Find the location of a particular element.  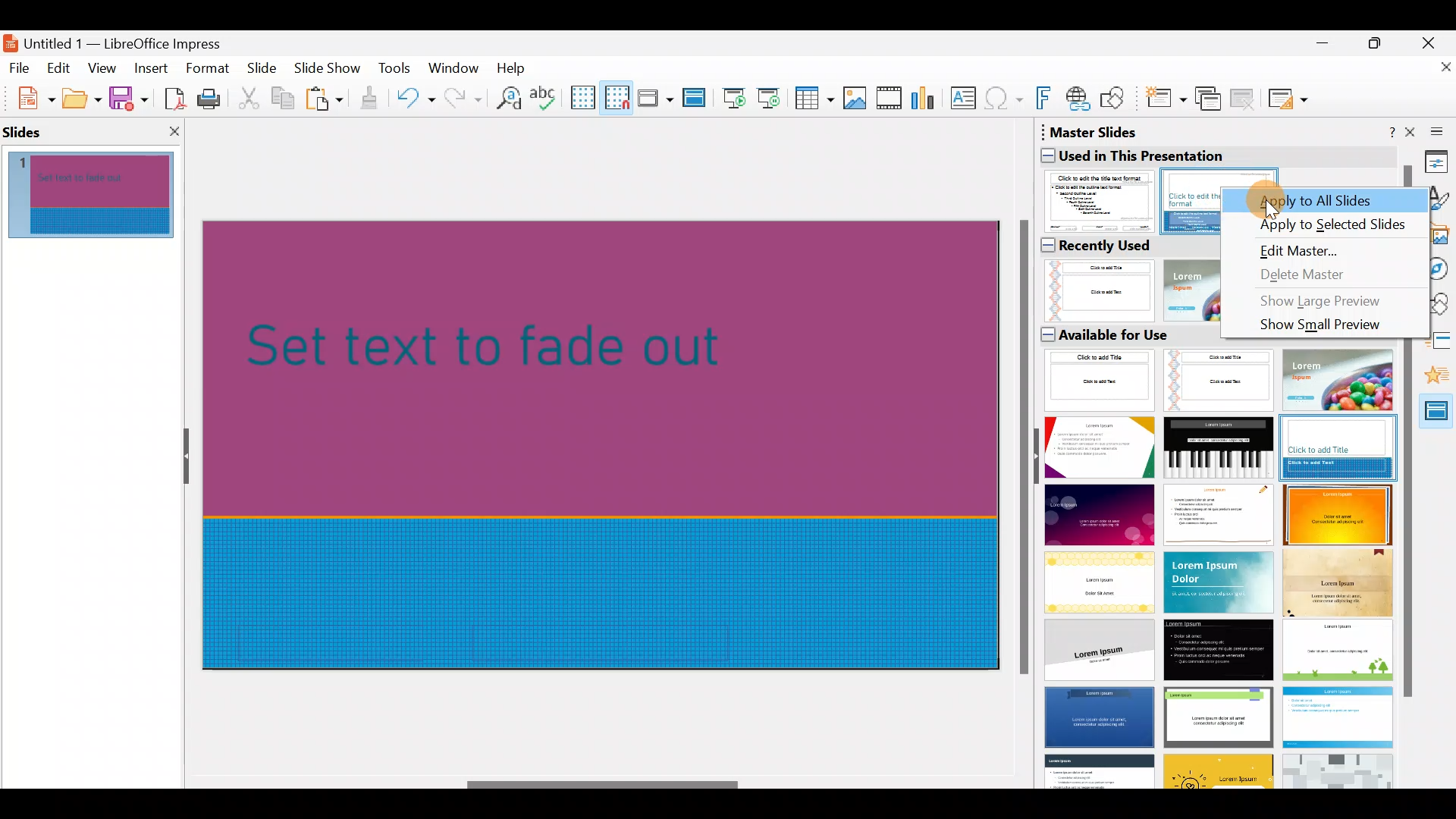

Undo is located at coordinates (416, 101).